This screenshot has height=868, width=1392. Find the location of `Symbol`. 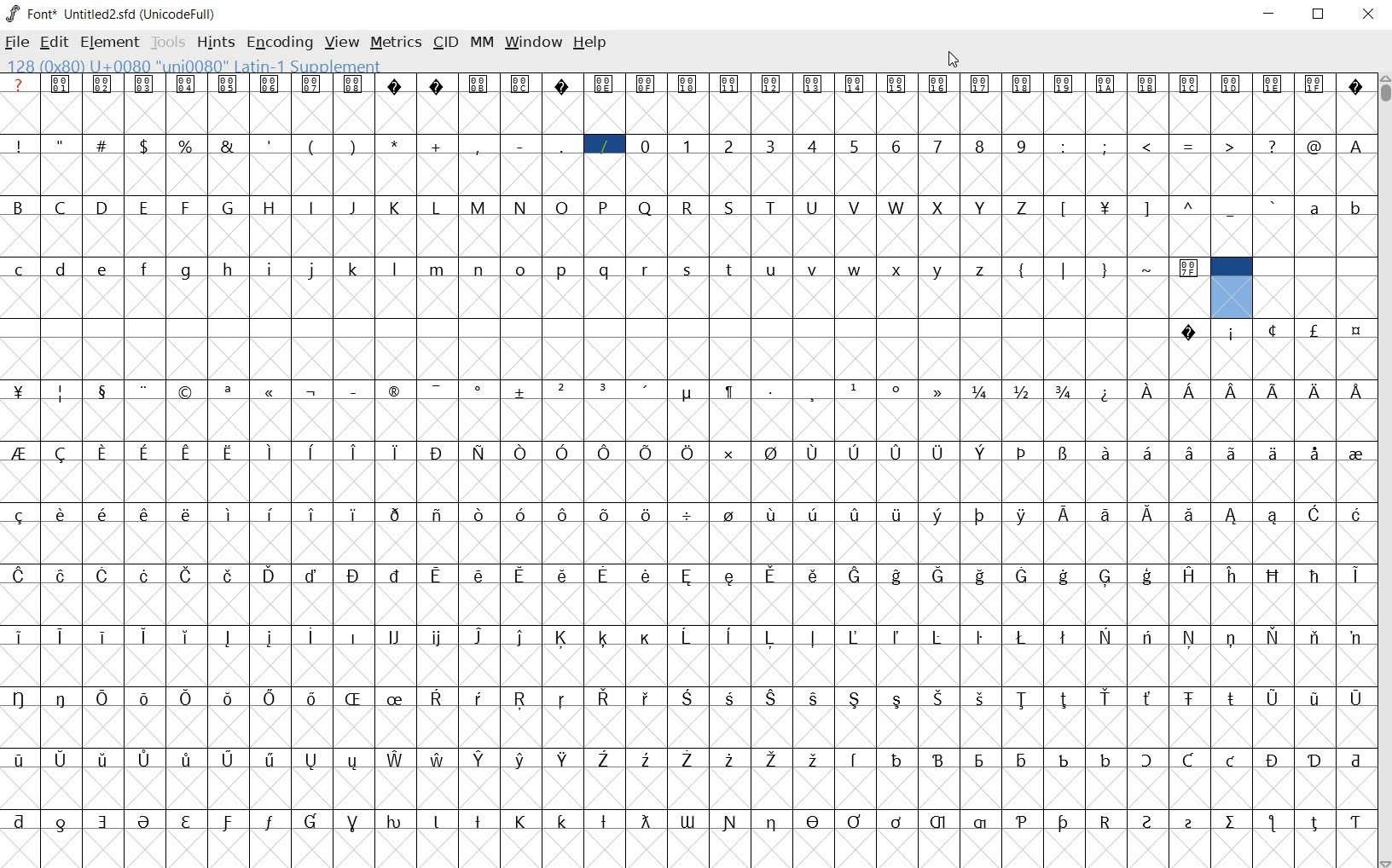

Symbol is located at coordinates (773, 697).